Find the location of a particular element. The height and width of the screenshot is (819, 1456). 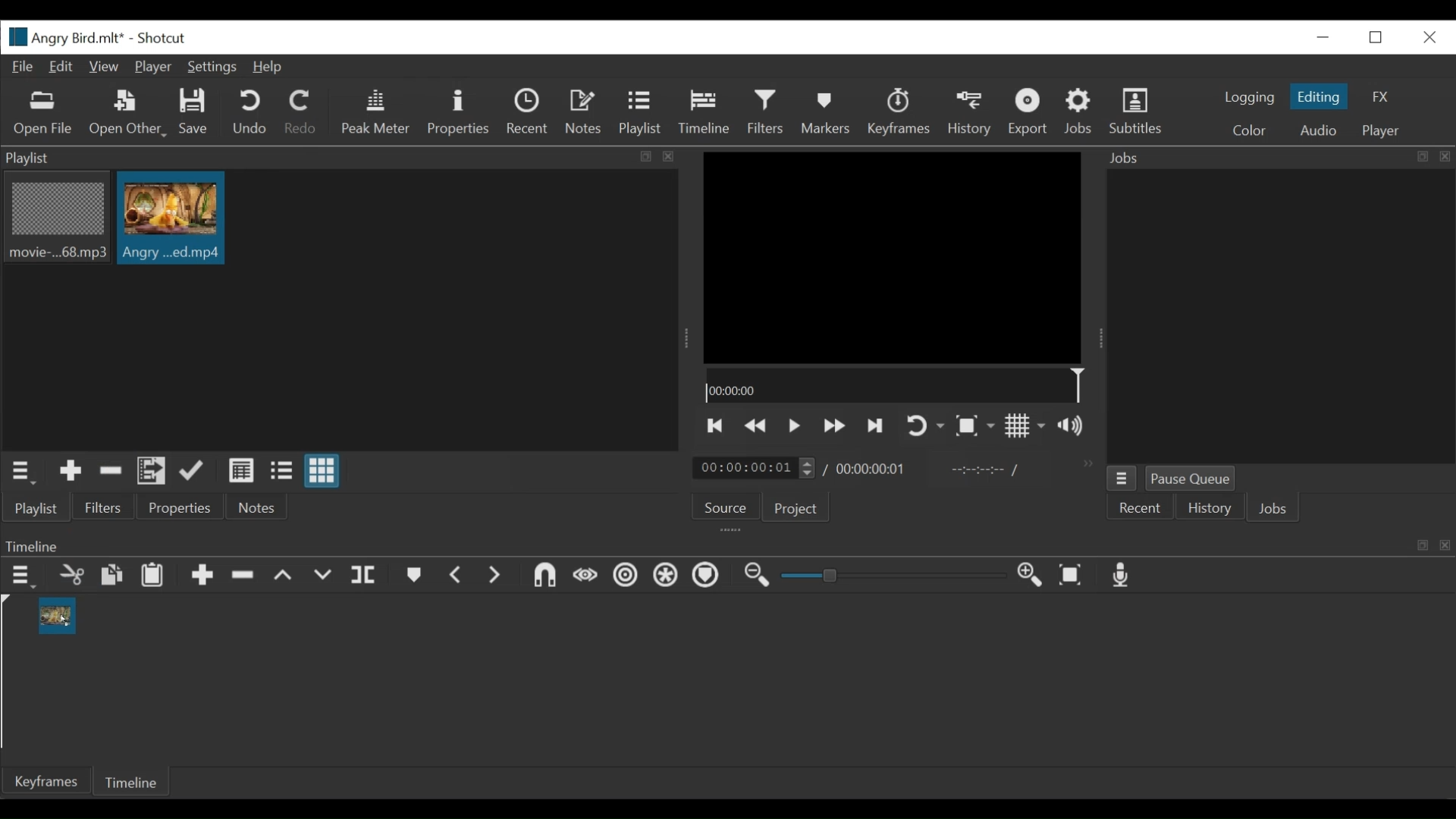

In point is located at coordinates (985, 470).